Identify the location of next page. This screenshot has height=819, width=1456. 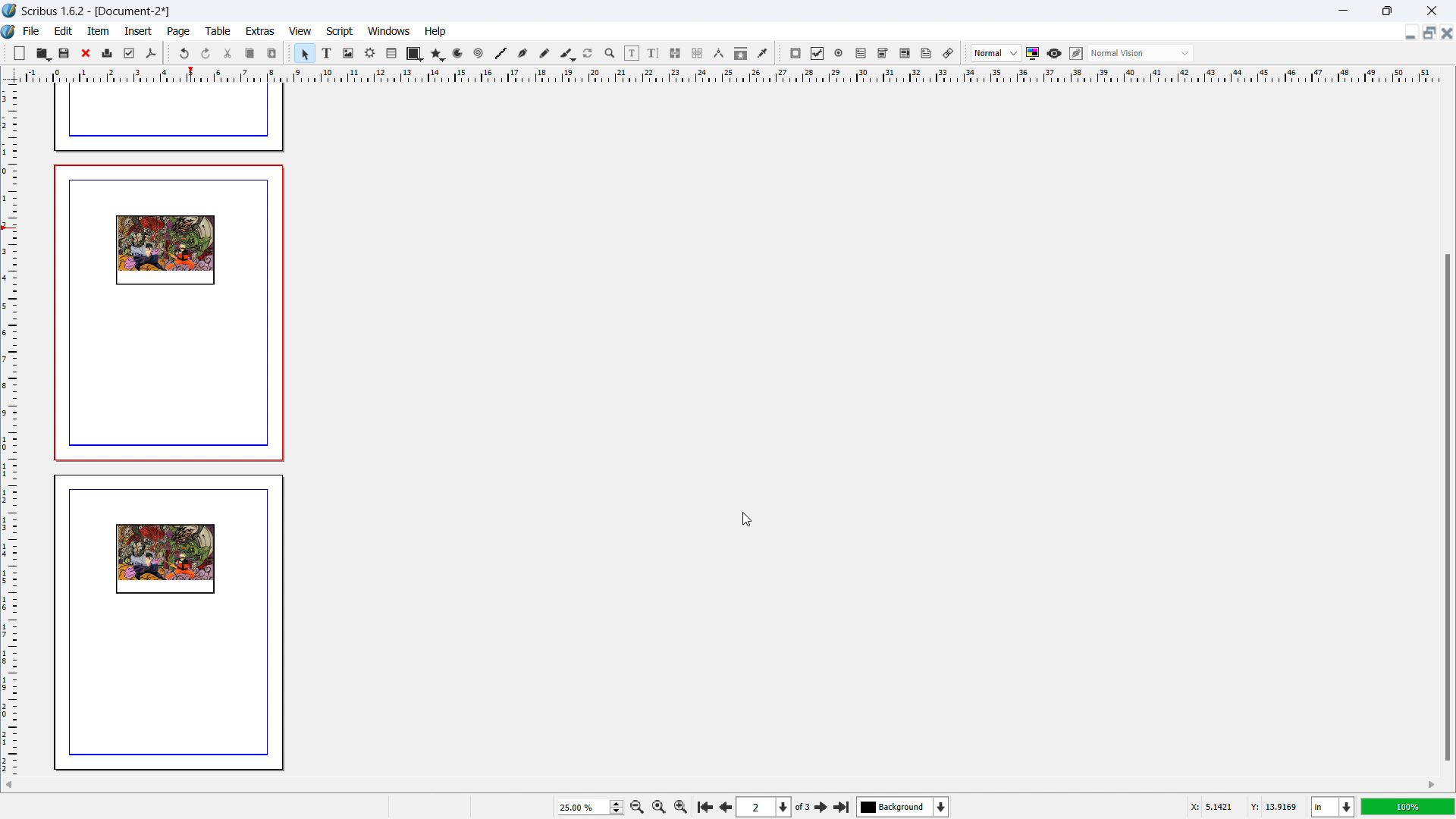
(822, 806).